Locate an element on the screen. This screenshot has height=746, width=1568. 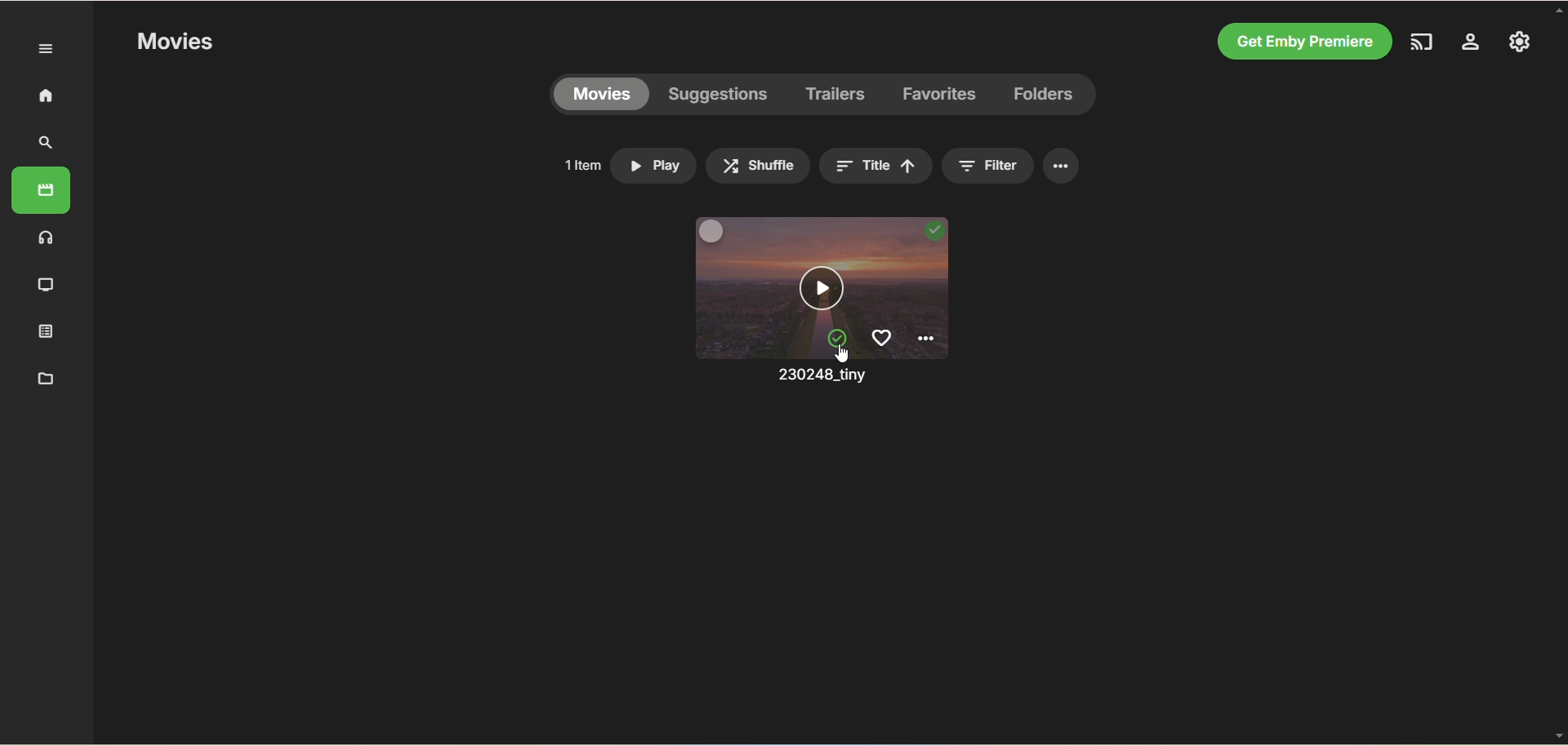
movies is located at coordinates (42, 193).